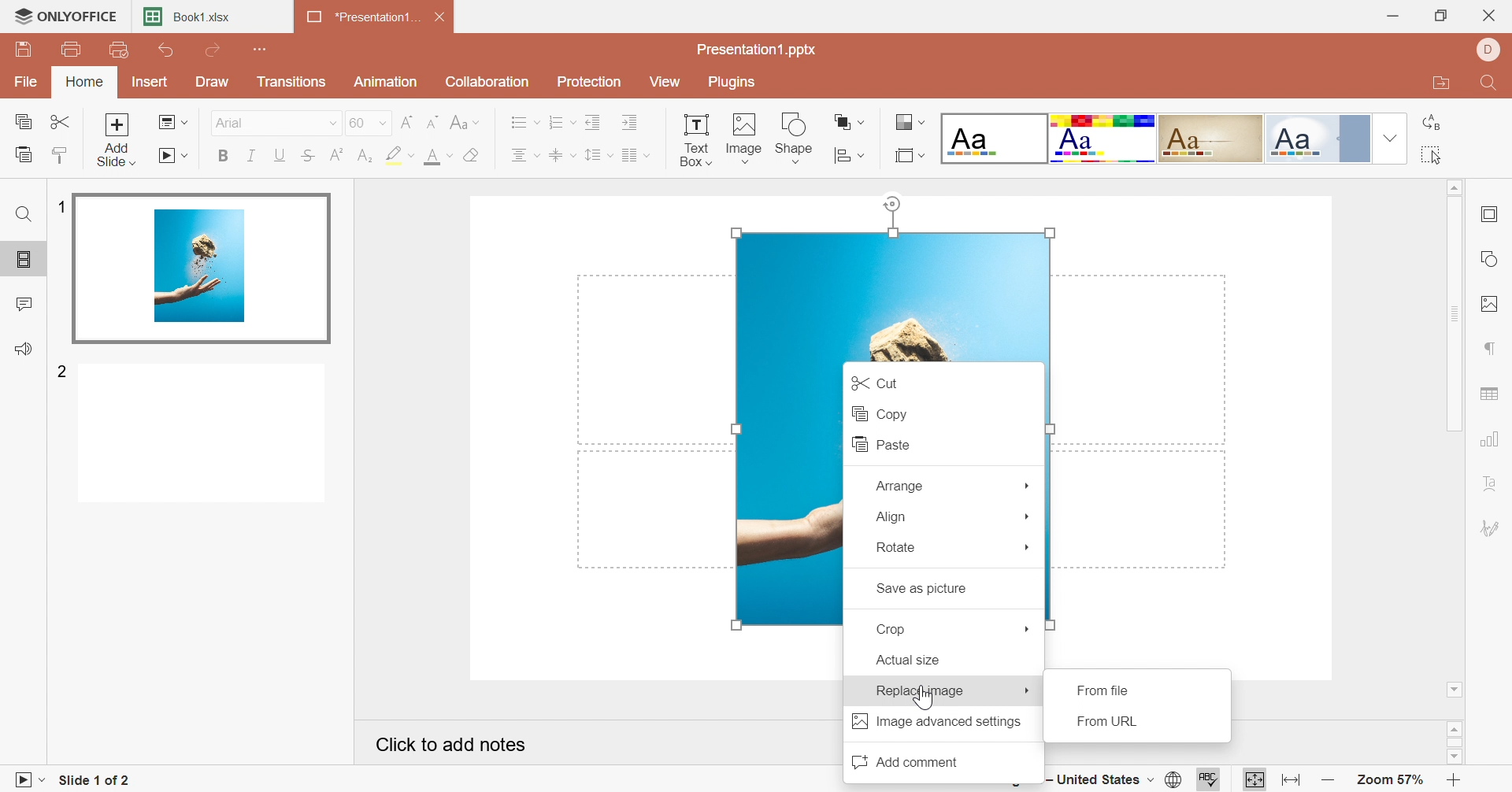 The width and height of the screenshot is (1512, 792). Describe the element at coordinates (695, 138) in the screenshot. I see `Text Box` at that location.